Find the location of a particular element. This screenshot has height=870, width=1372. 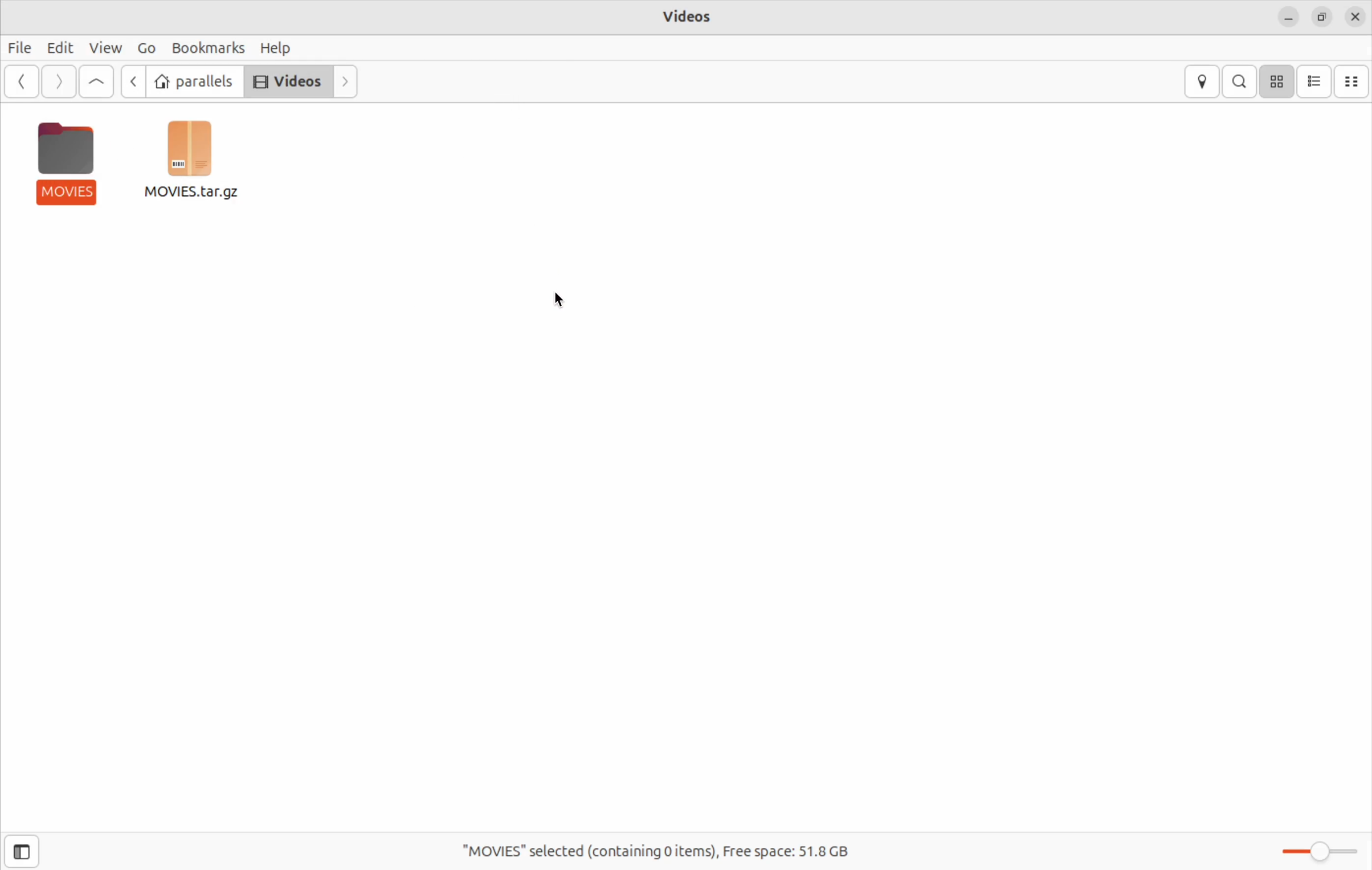

icon view is located at coordinates (1276, 83).